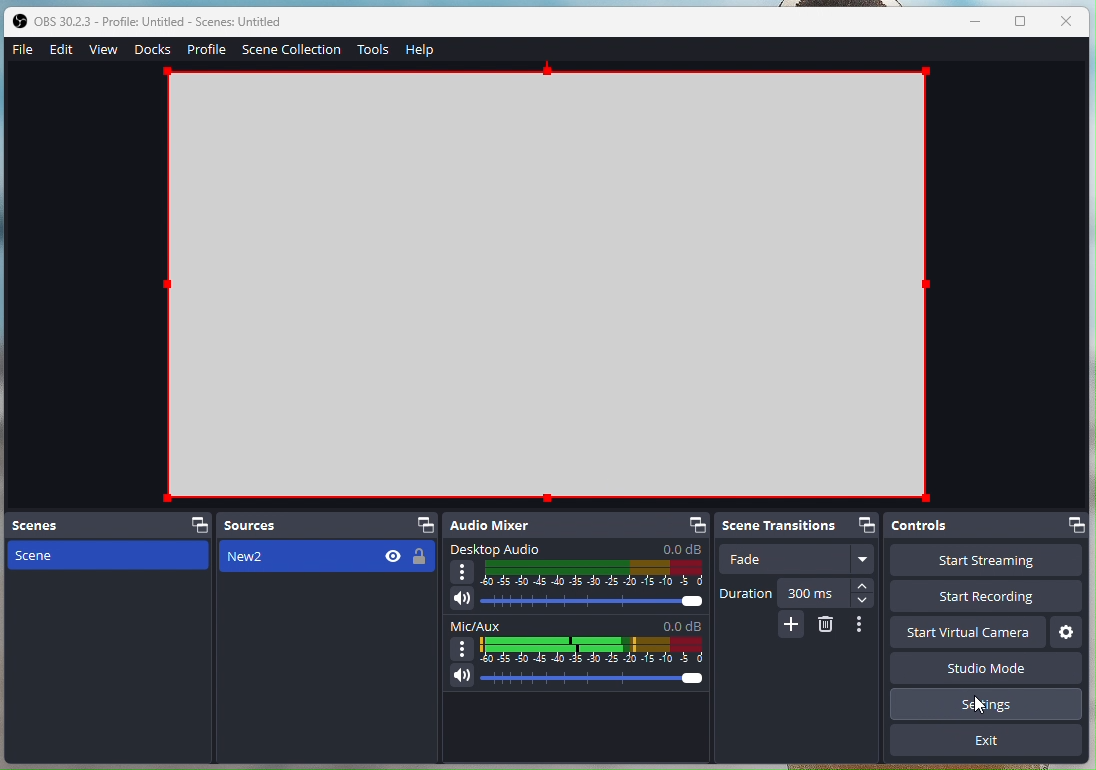 This screenshot has height=770, width=1096. What do you see at coordinates (1027, 21) in the screenshot?
I see `window size toggle` at bounding box center [1027, 21].